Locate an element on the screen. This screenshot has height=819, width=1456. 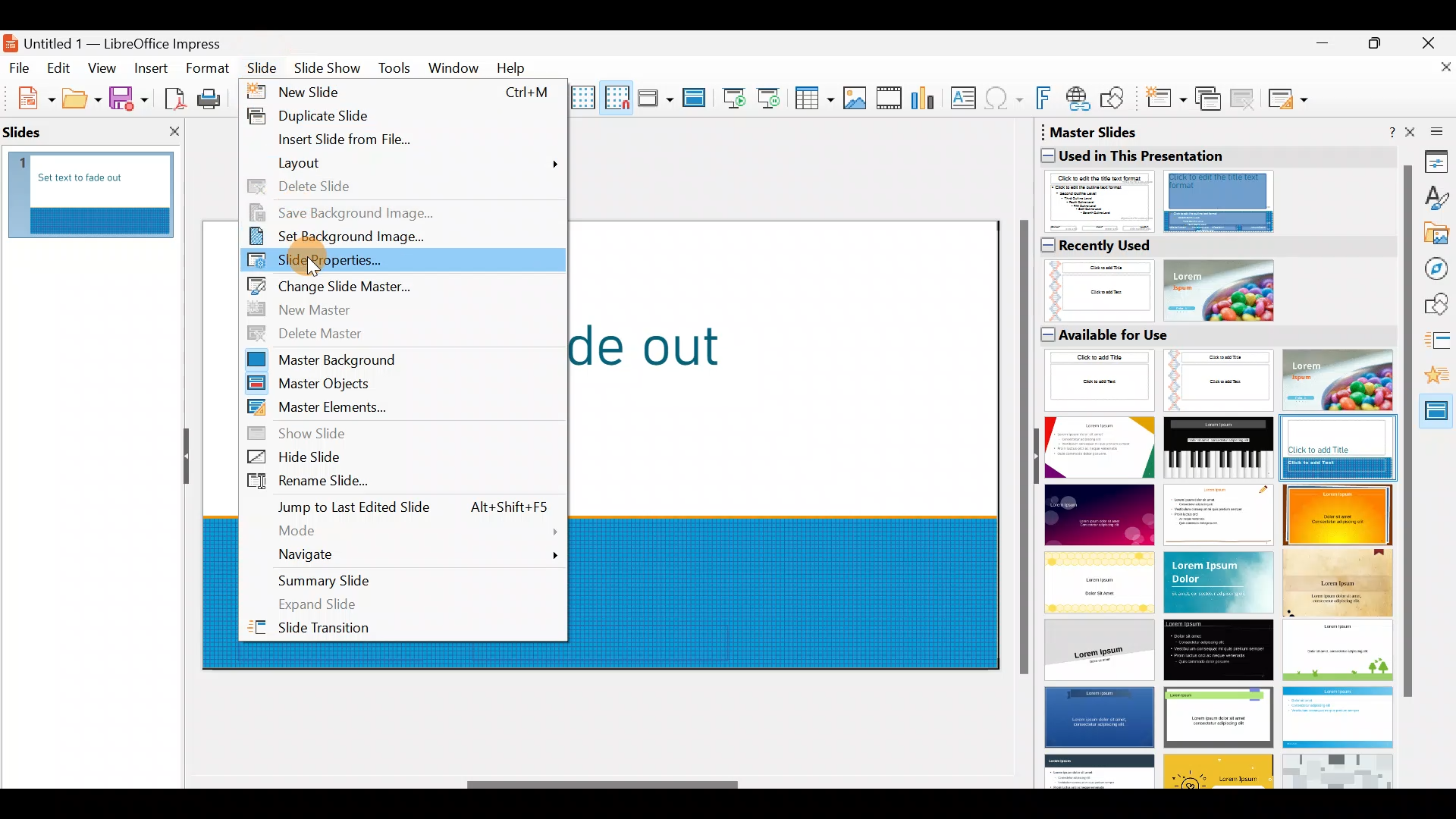
Slide transition is located at coordinates (409, 629).